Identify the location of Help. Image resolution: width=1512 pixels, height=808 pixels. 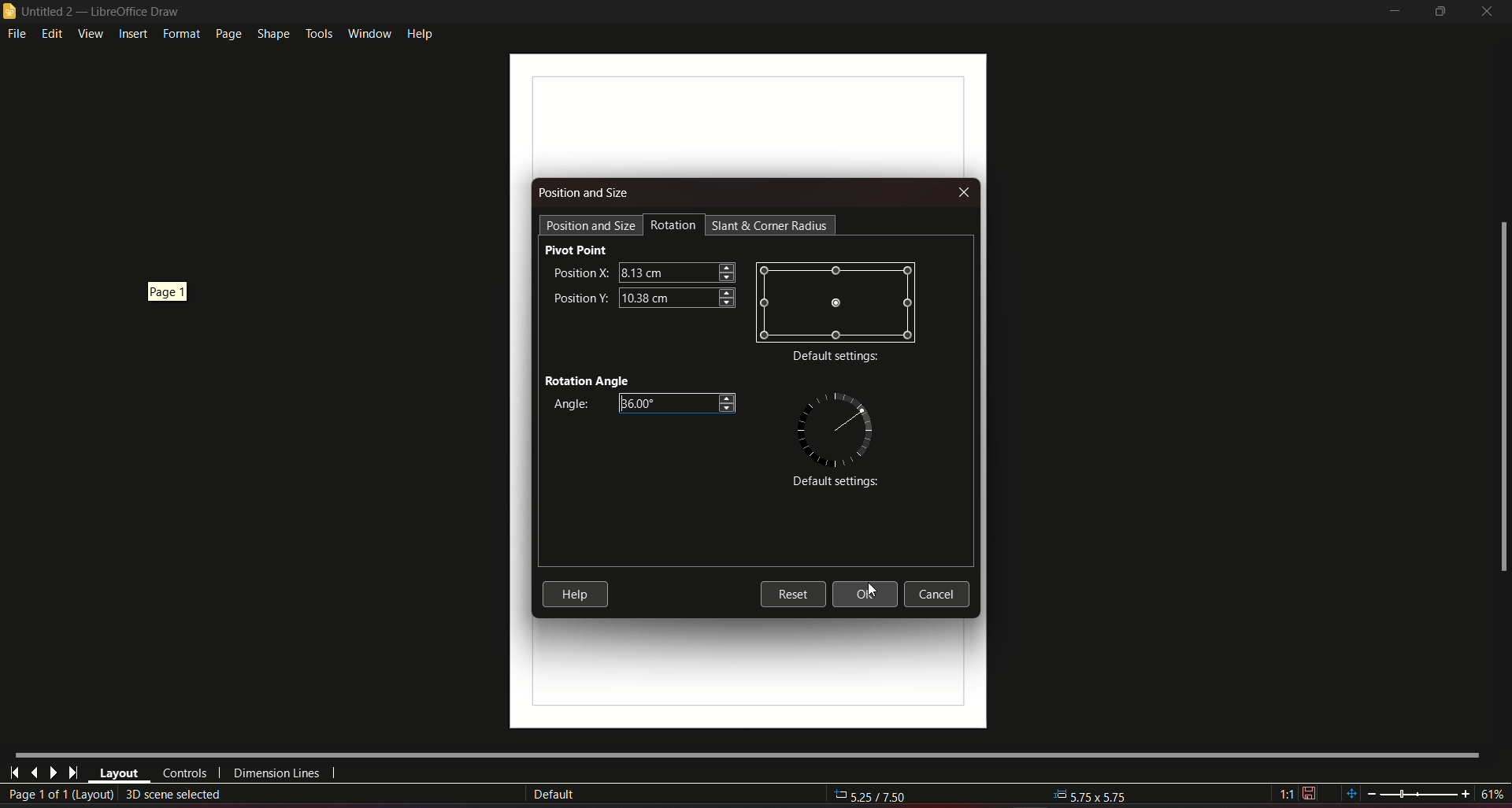
(575, 594).